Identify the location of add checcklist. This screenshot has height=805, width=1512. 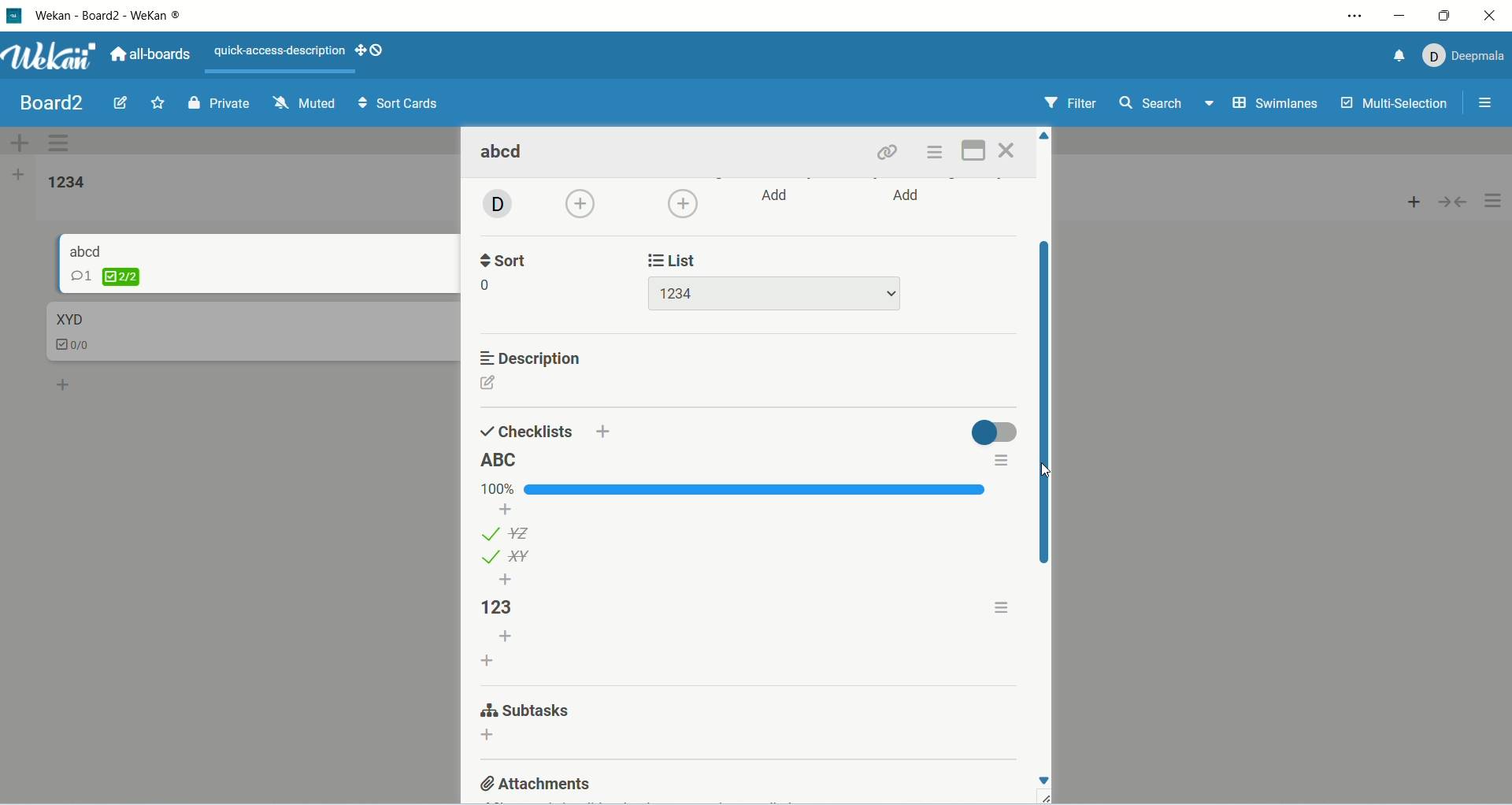
(489, 659).